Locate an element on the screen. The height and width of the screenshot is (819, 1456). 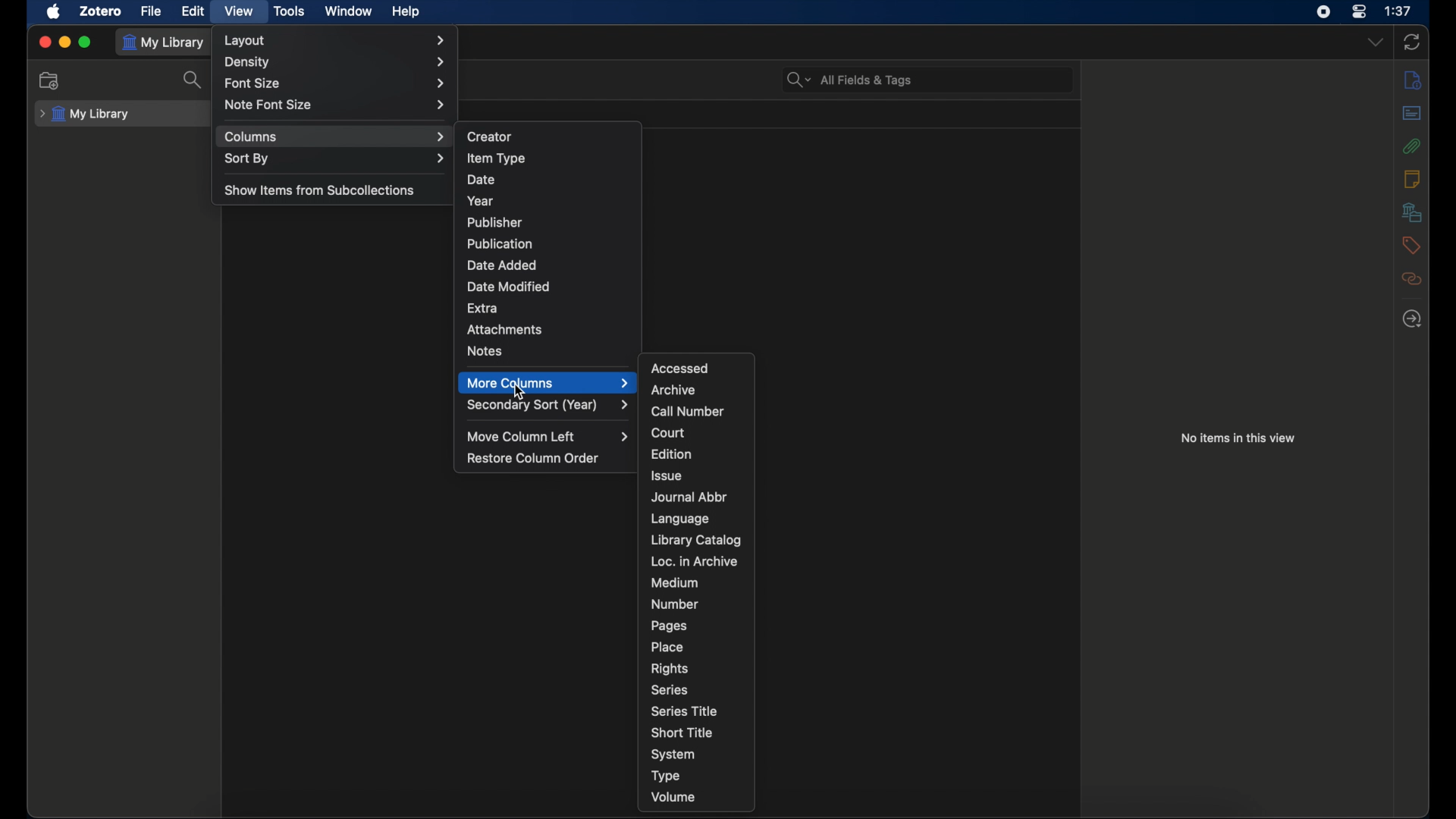
publisher is located at coordinates (496, 222).